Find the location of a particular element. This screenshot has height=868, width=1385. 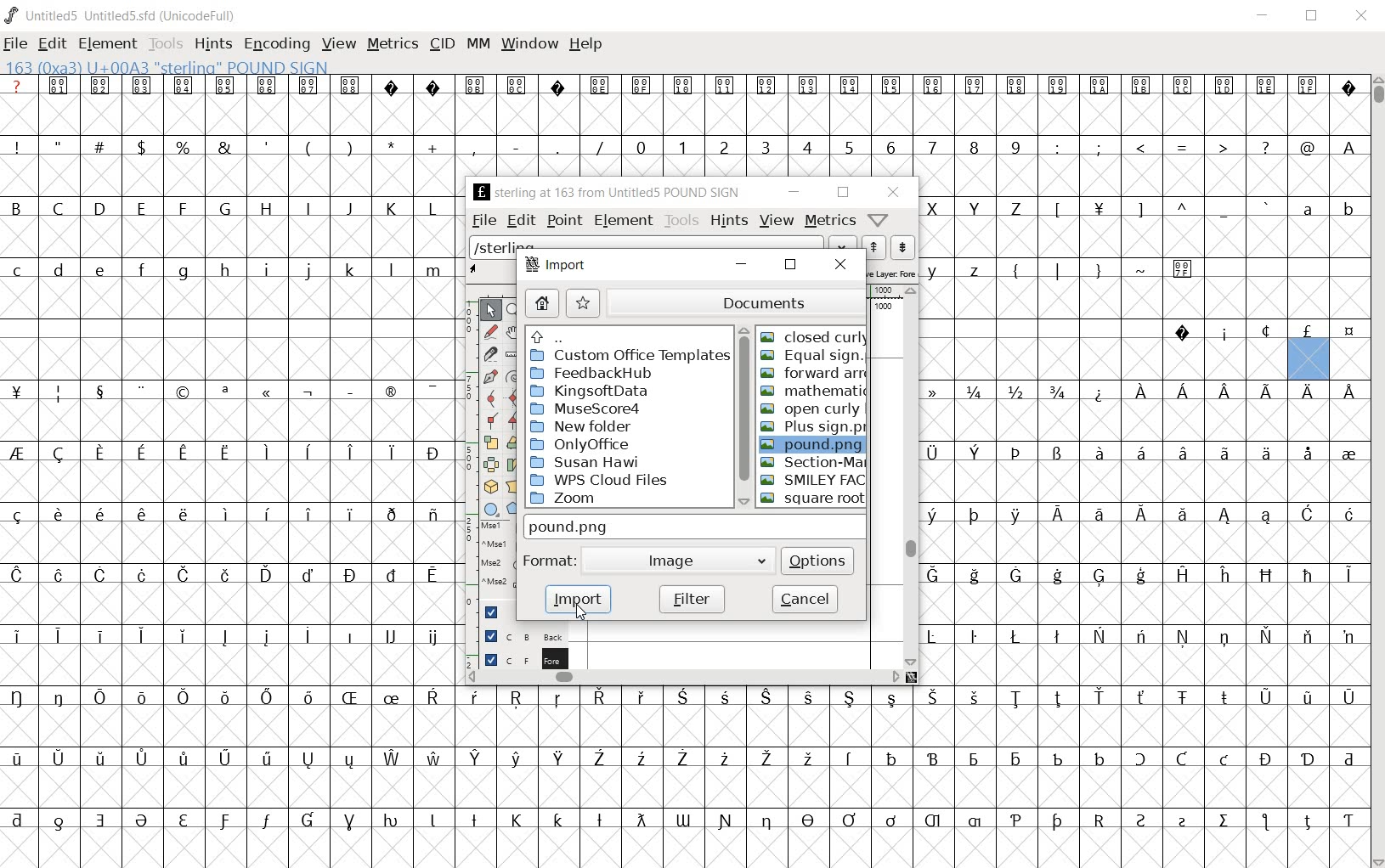

Symbol is located at coordinates (1057, 516).